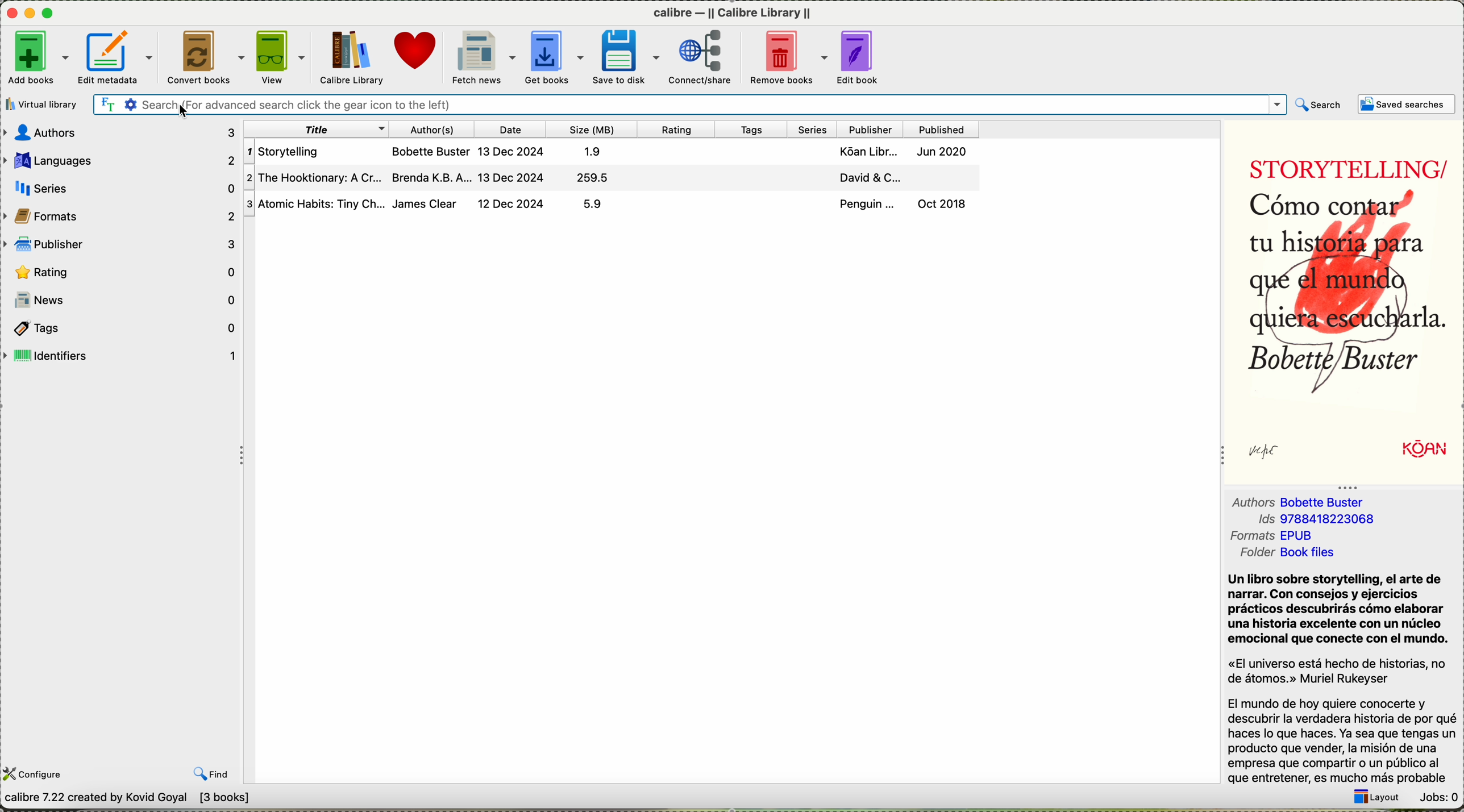  What do you see at coordinates (316, 151) in the screenshot?
I see `Storytelling` at bounding box center [316, 151].